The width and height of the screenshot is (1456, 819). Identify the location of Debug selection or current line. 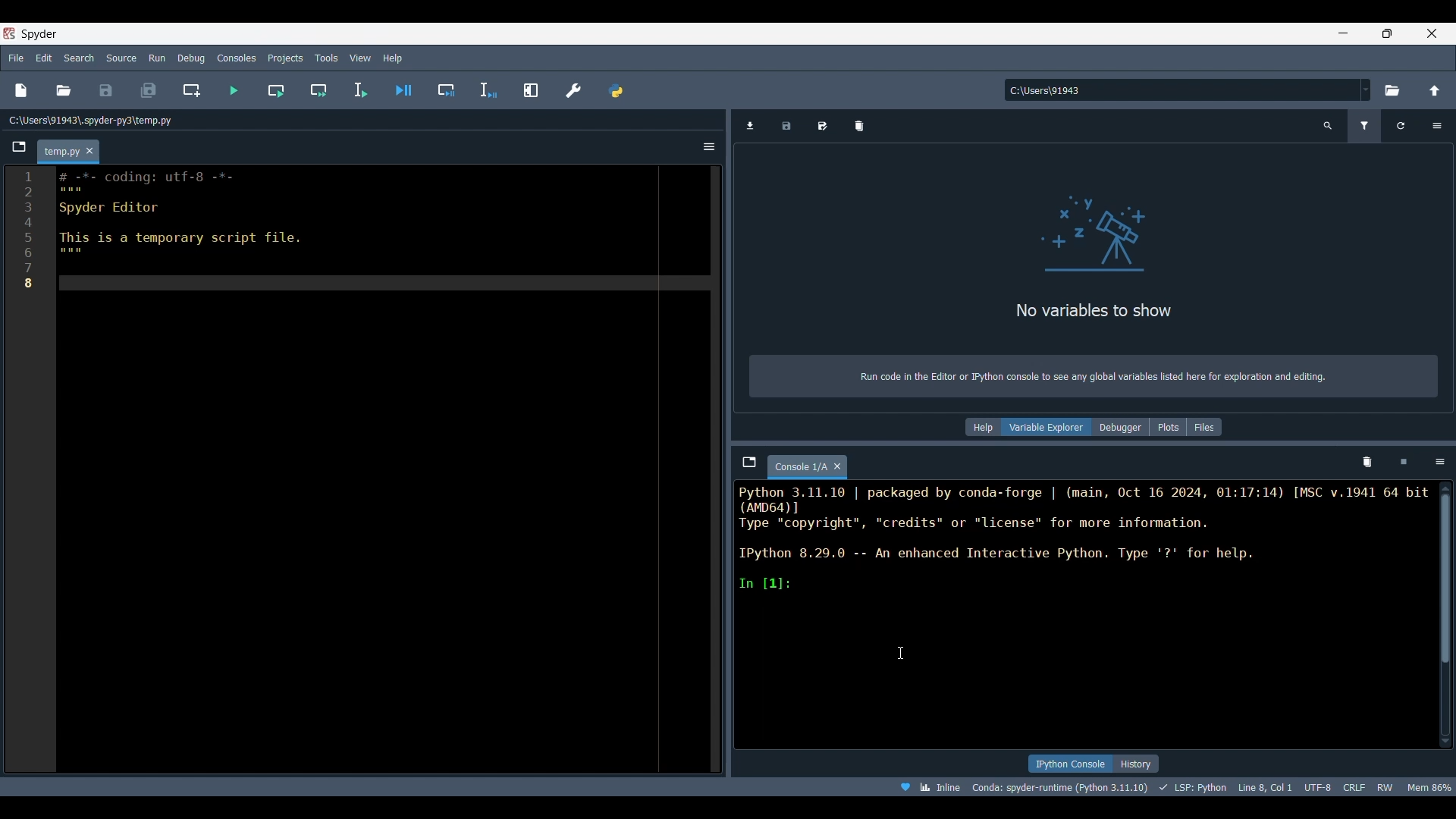
(488, 91).